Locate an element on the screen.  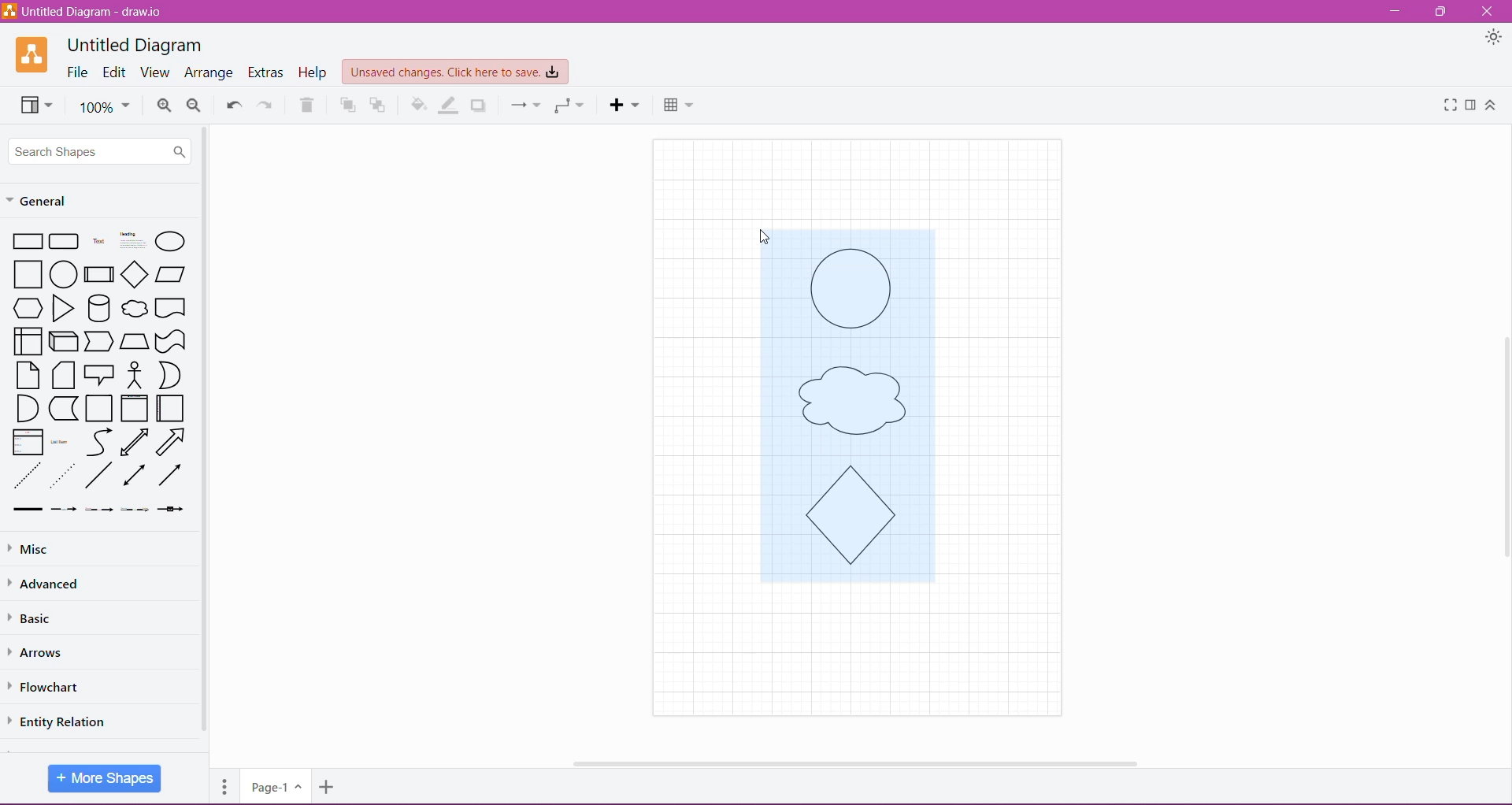
Waypoints is located at coordinates (568, 106).